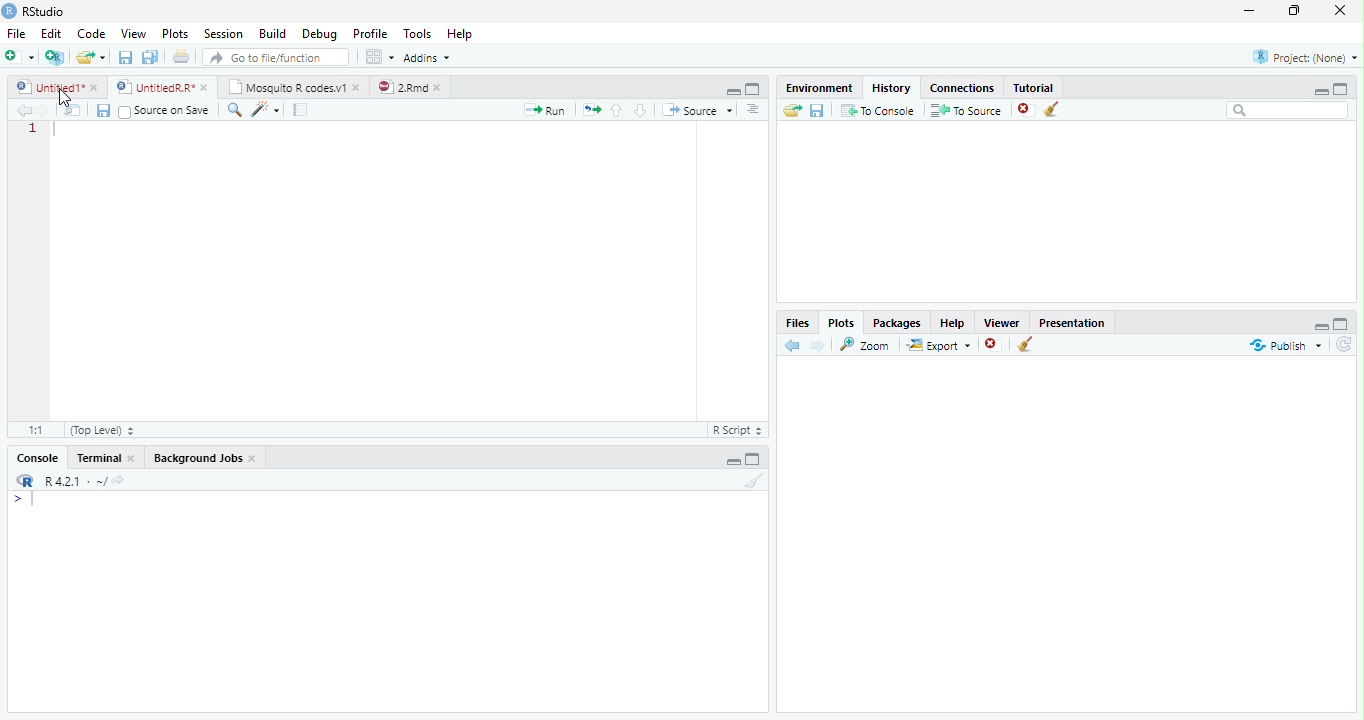 The image size is (1364, 720). What do you see at coordinates (149, 57) in the screenshot?
I see `Save all open files` at bounding box center [149, 57].